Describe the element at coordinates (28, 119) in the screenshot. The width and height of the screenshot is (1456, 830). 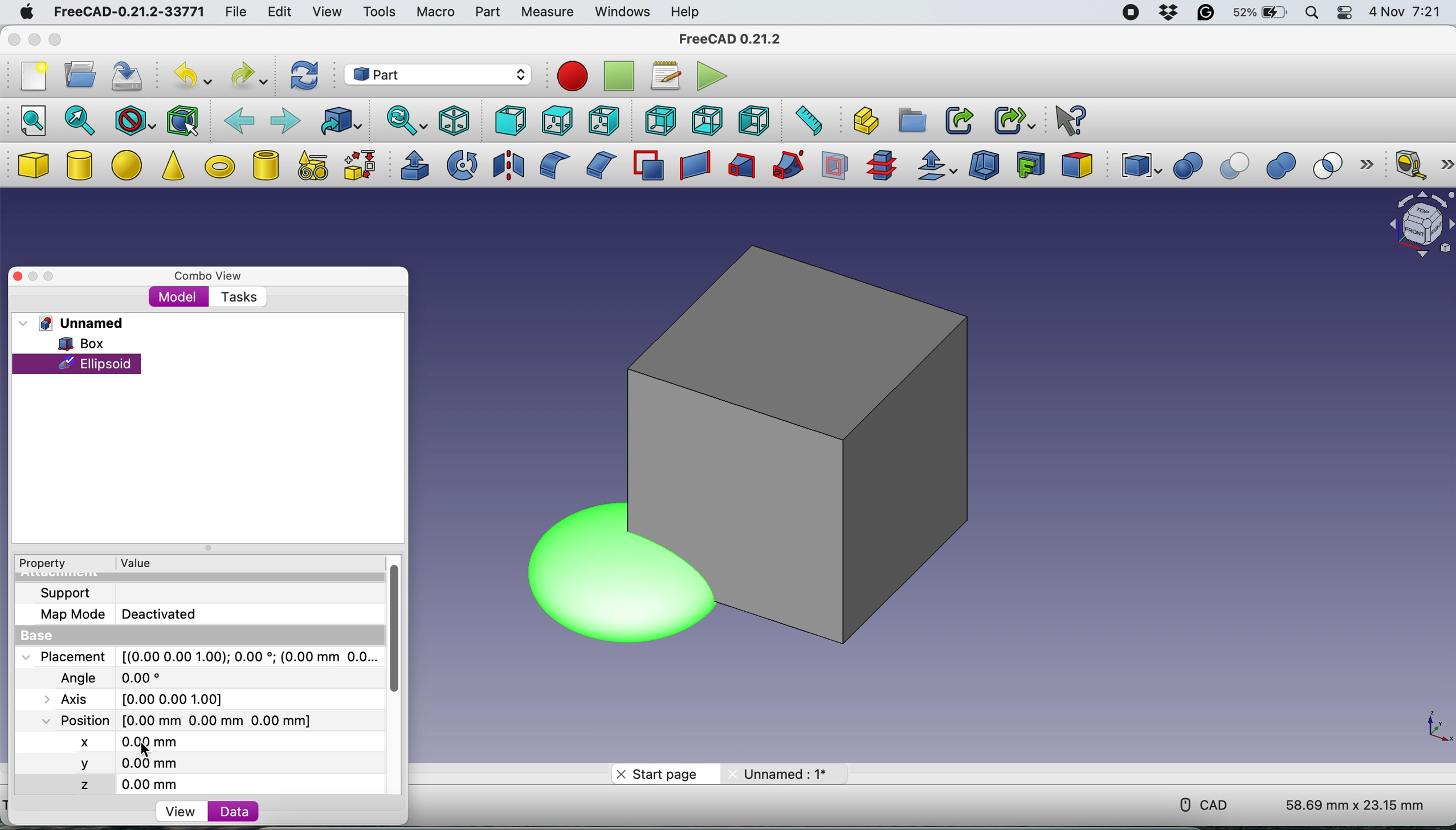
I see `fit all` at that location.